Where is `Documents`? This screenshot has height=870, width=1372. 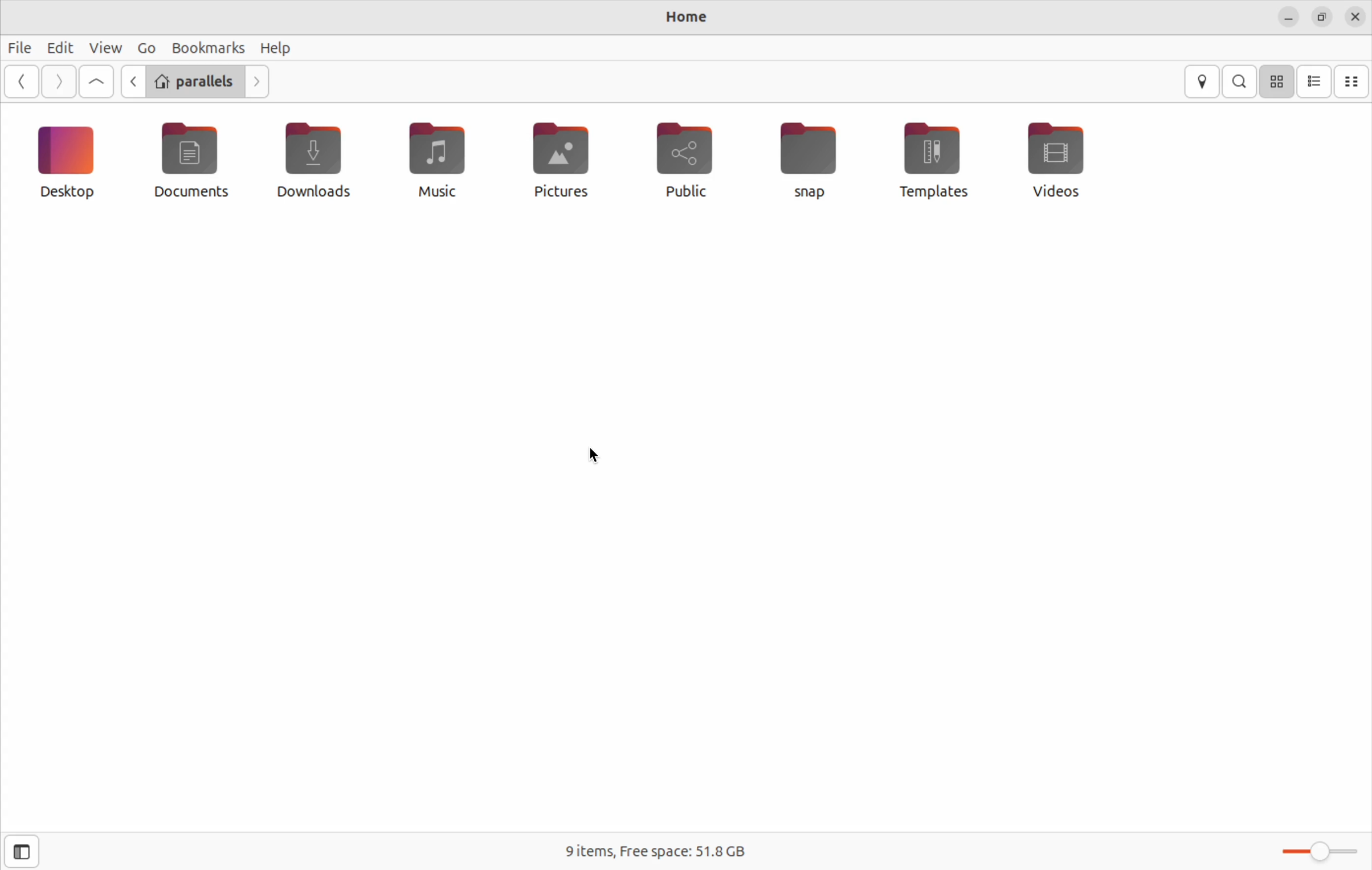 Documents is located at coordinates (186, 162).